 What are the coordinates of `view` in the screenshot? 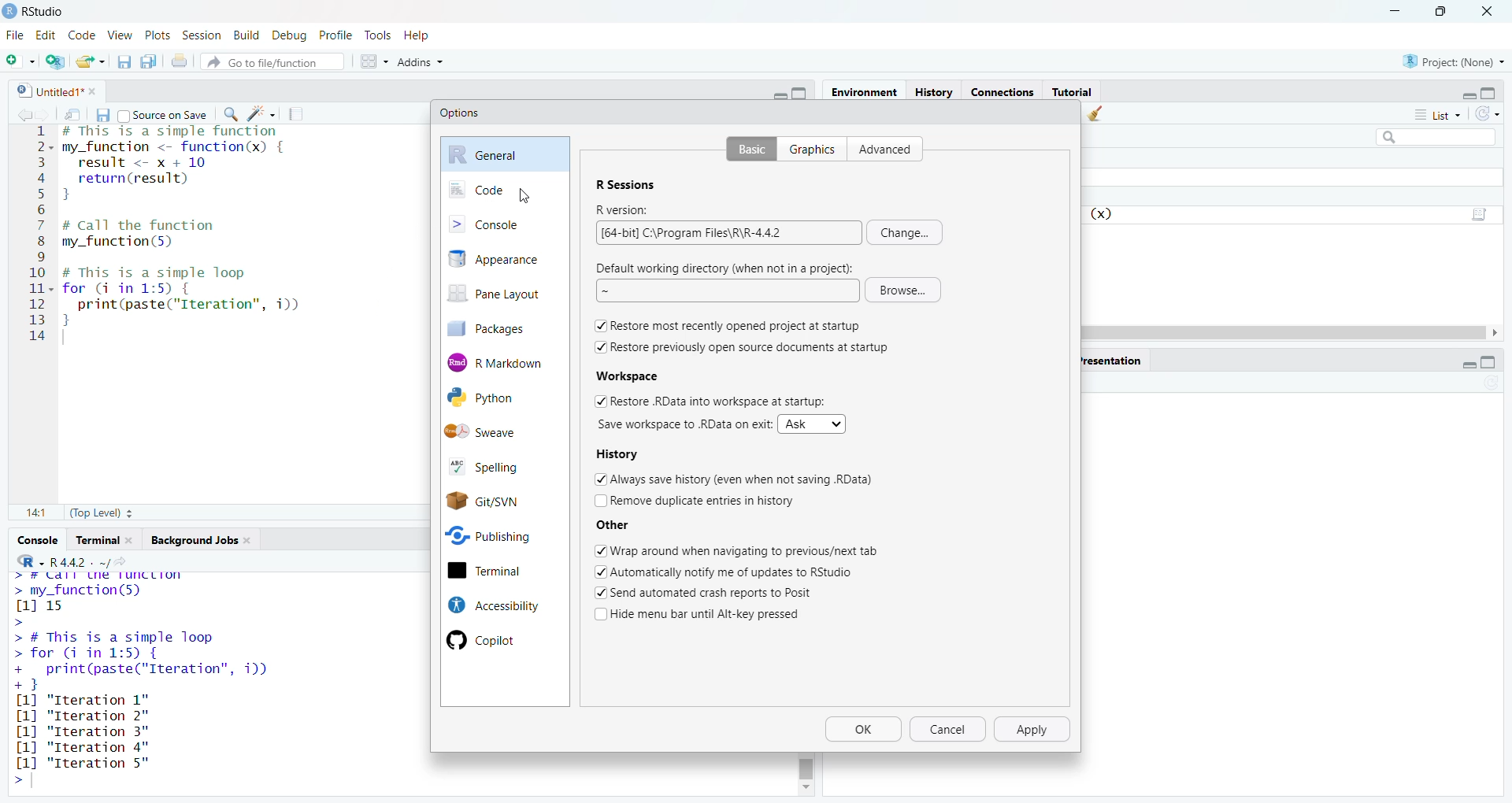 It's located at (120, 35).